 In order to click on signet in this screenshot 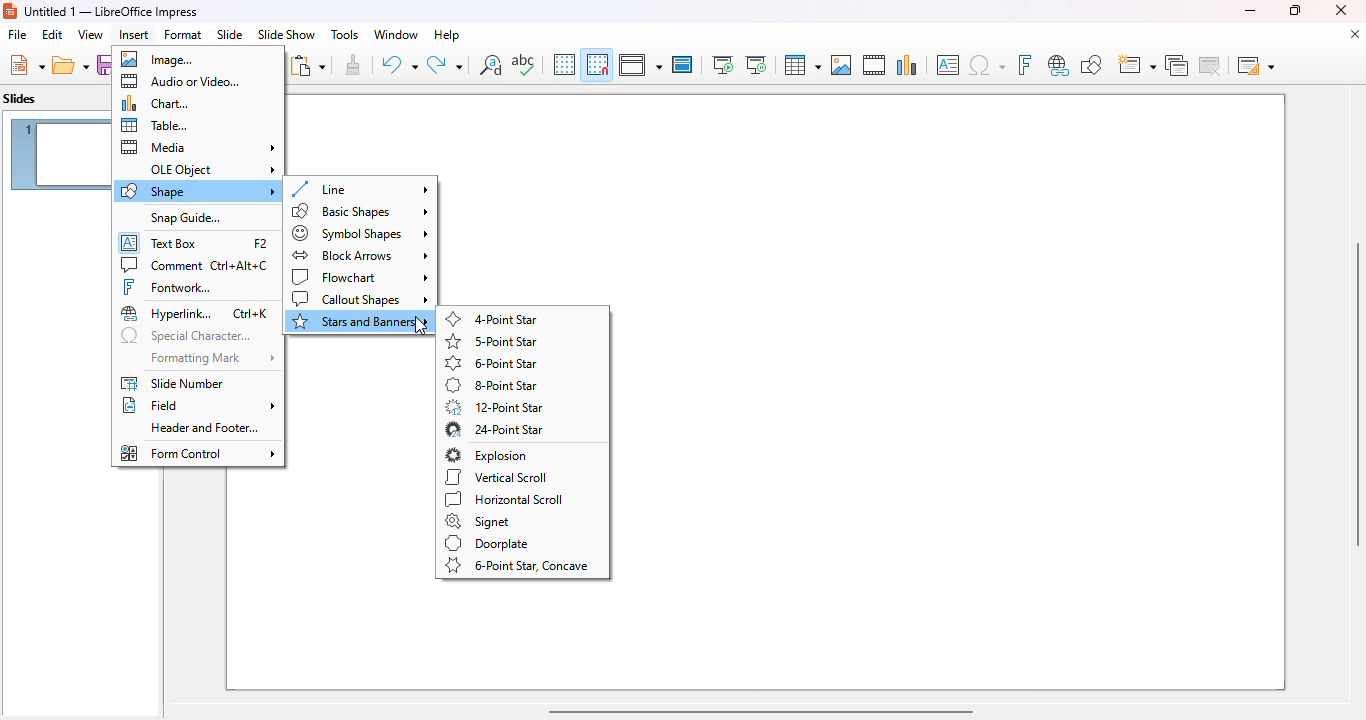, I will do `click(477, 521)`.